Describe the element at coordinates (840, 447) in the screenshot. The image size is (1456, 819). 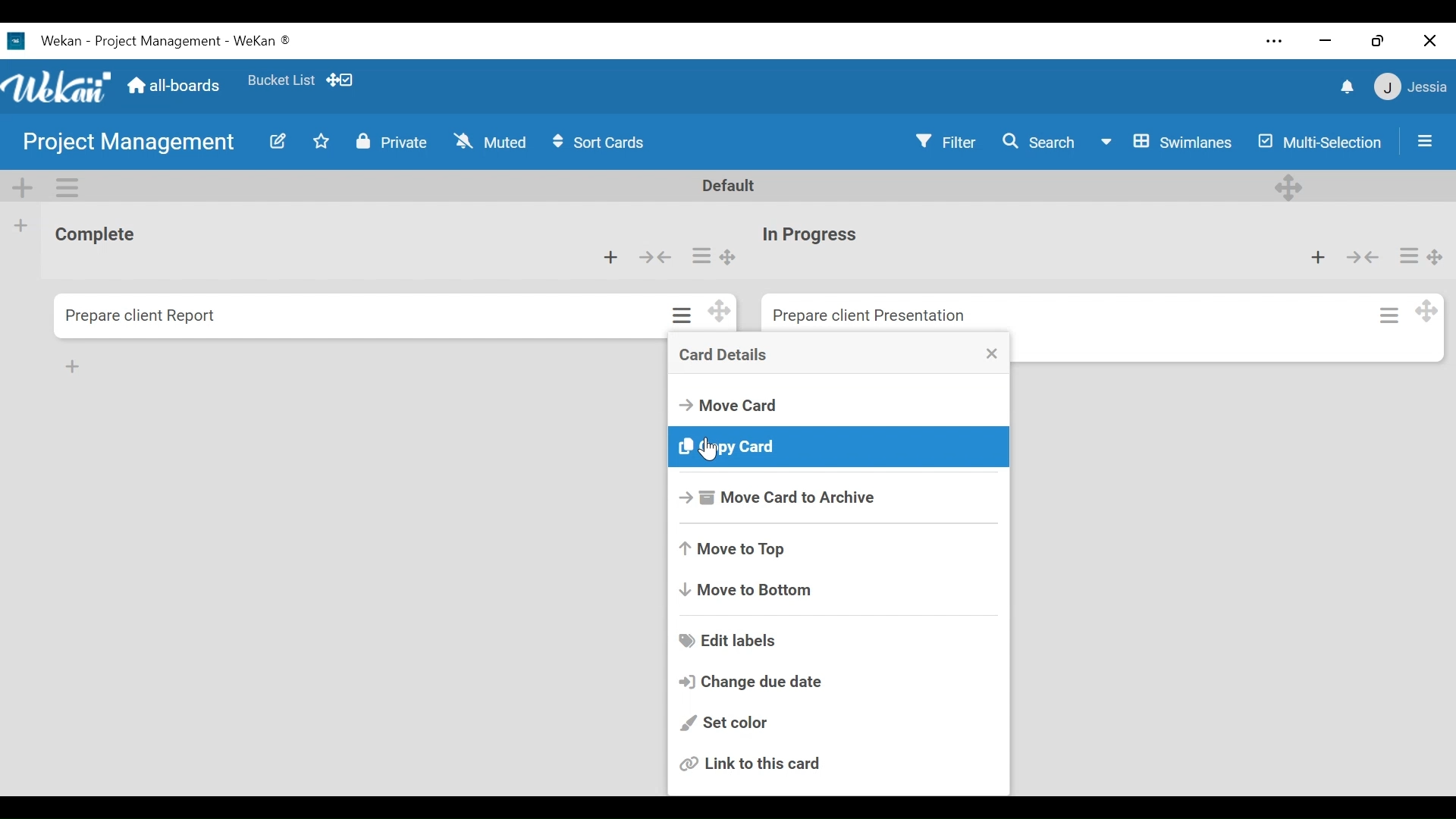
I see `Copy card` at that location.